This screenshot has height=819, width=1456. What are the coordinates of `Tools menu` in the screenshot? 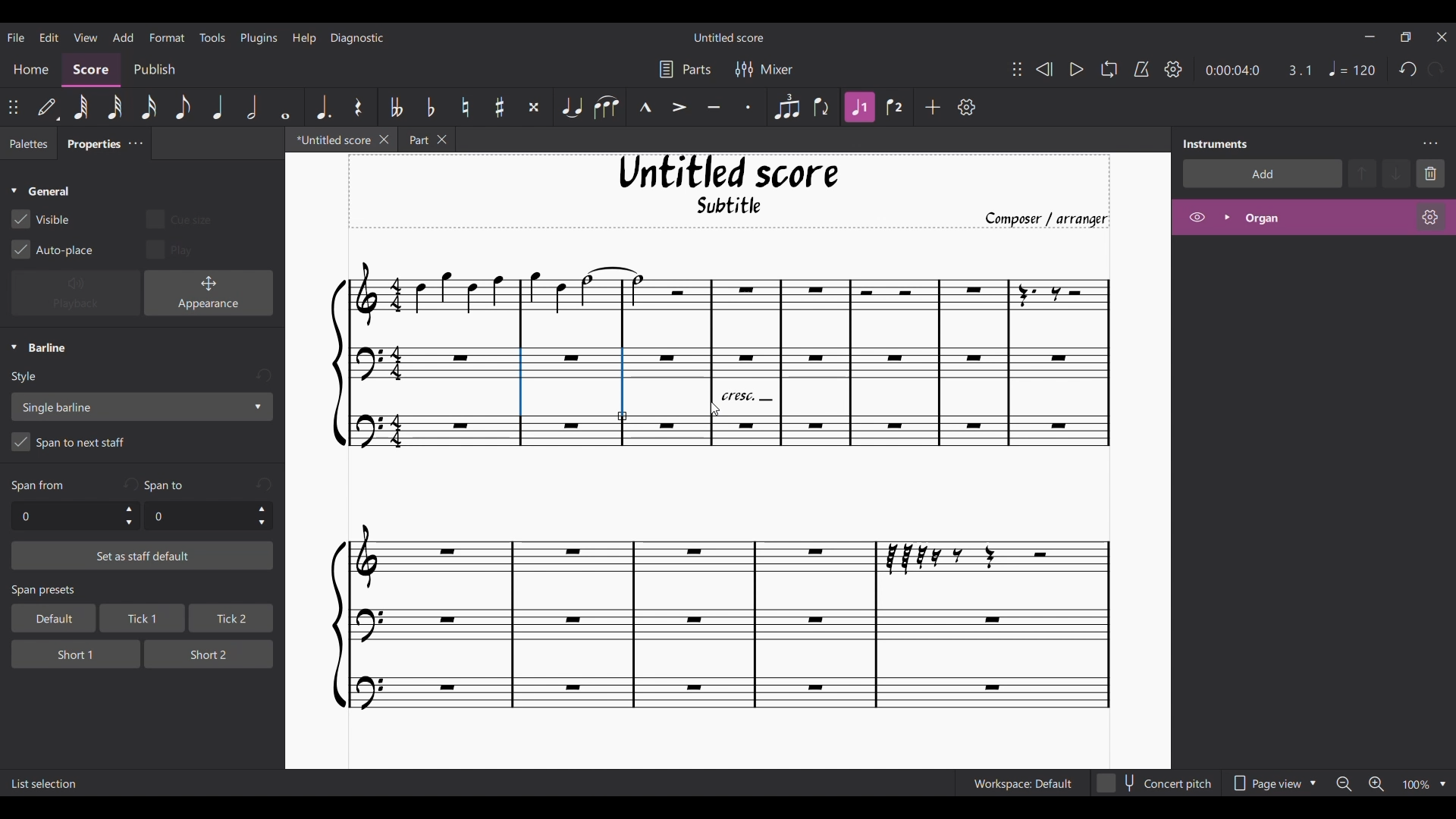 It's located at (212, 36).